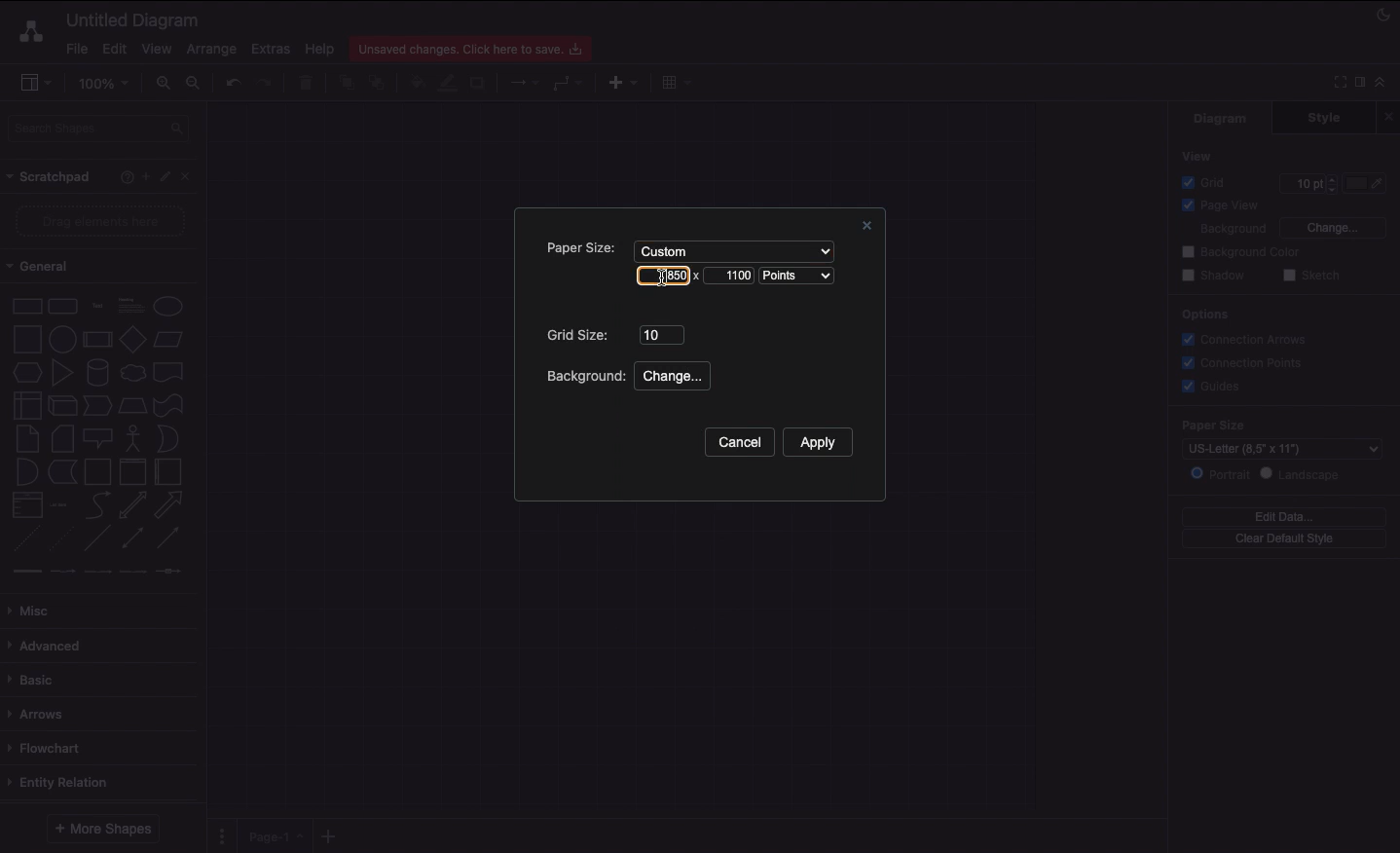 This screenshot has height=853, width=1400. I want to click on Hexagon, so click(26, 373).